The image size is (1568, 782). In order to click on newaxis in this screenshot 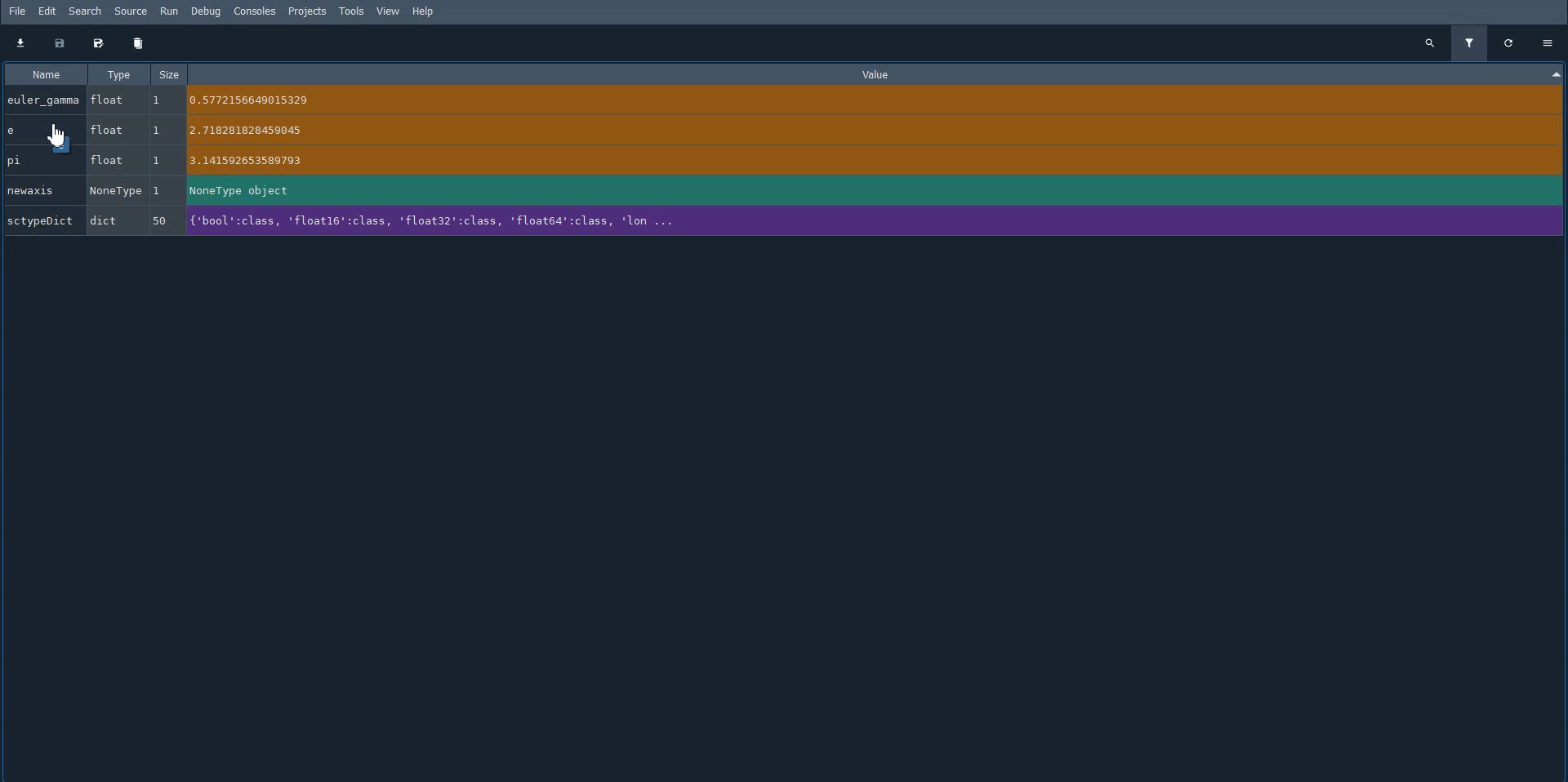, I will do `click(784, 191)`.